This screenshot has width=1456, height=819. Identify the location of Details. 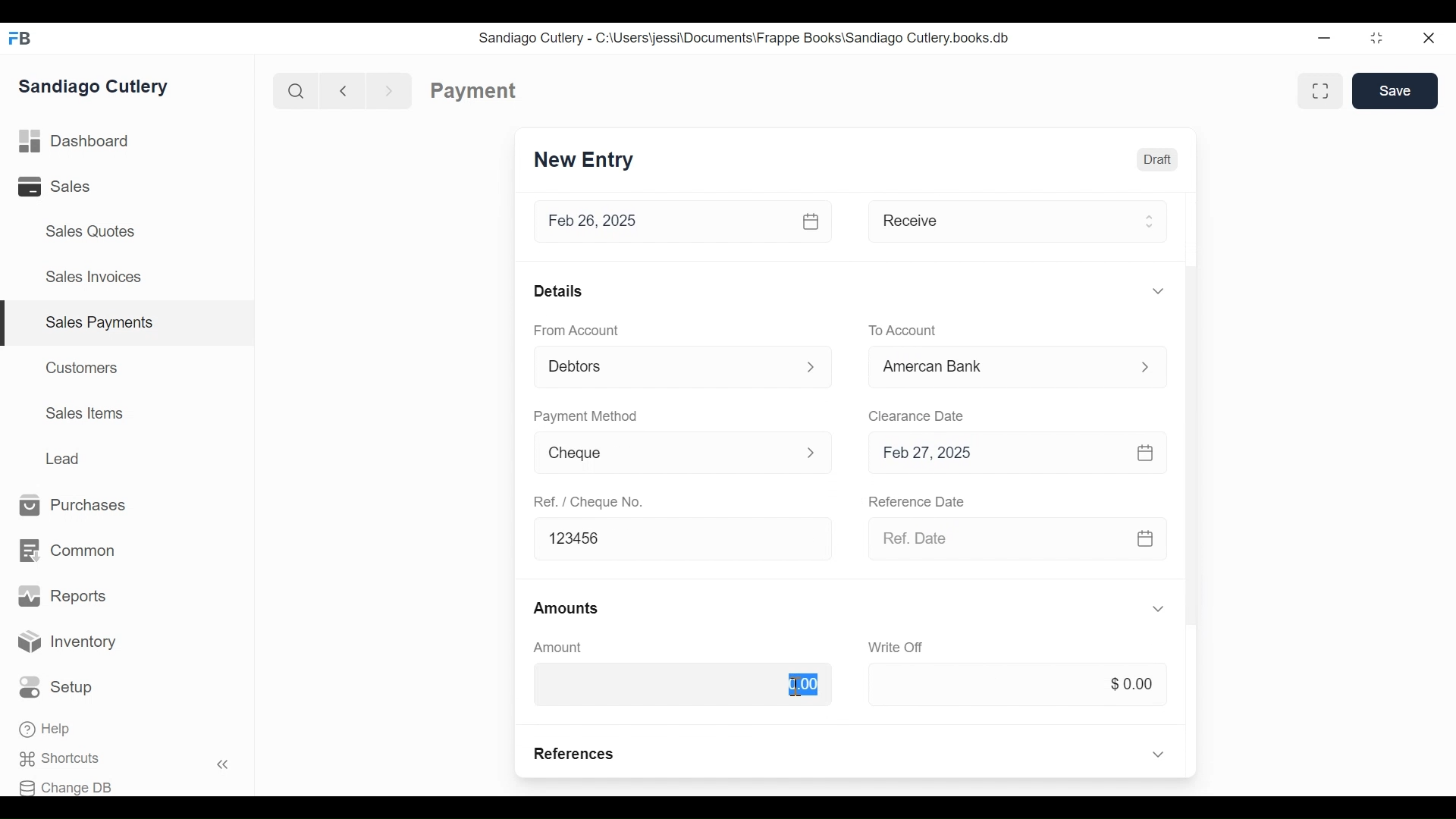
(558, 290).